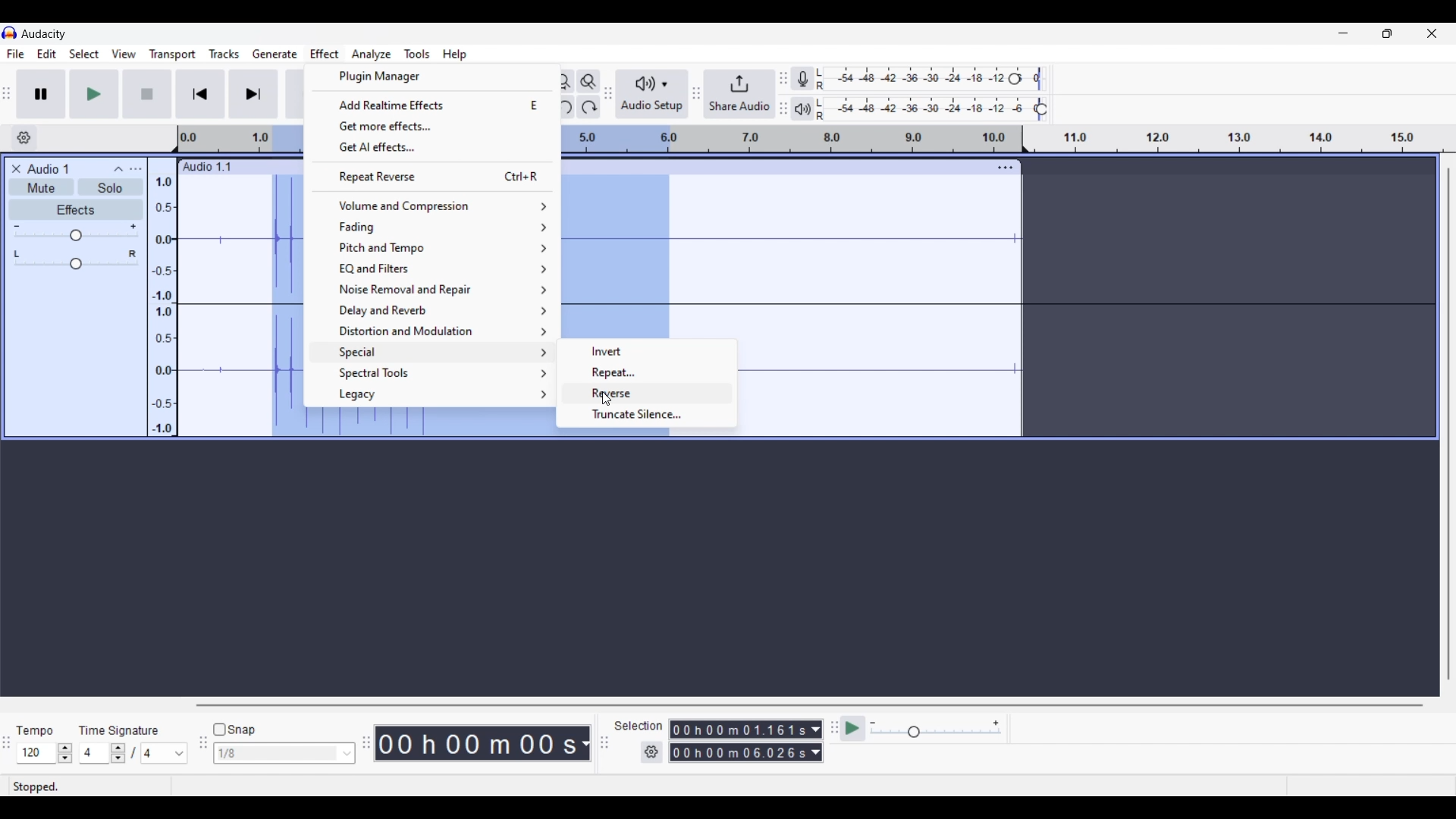 The width and height of the screenshot is (1456, 819). What do you see at coordinates (84, 54) in the screenshot?
I see `Select menu` at bounding box center [84, 54].